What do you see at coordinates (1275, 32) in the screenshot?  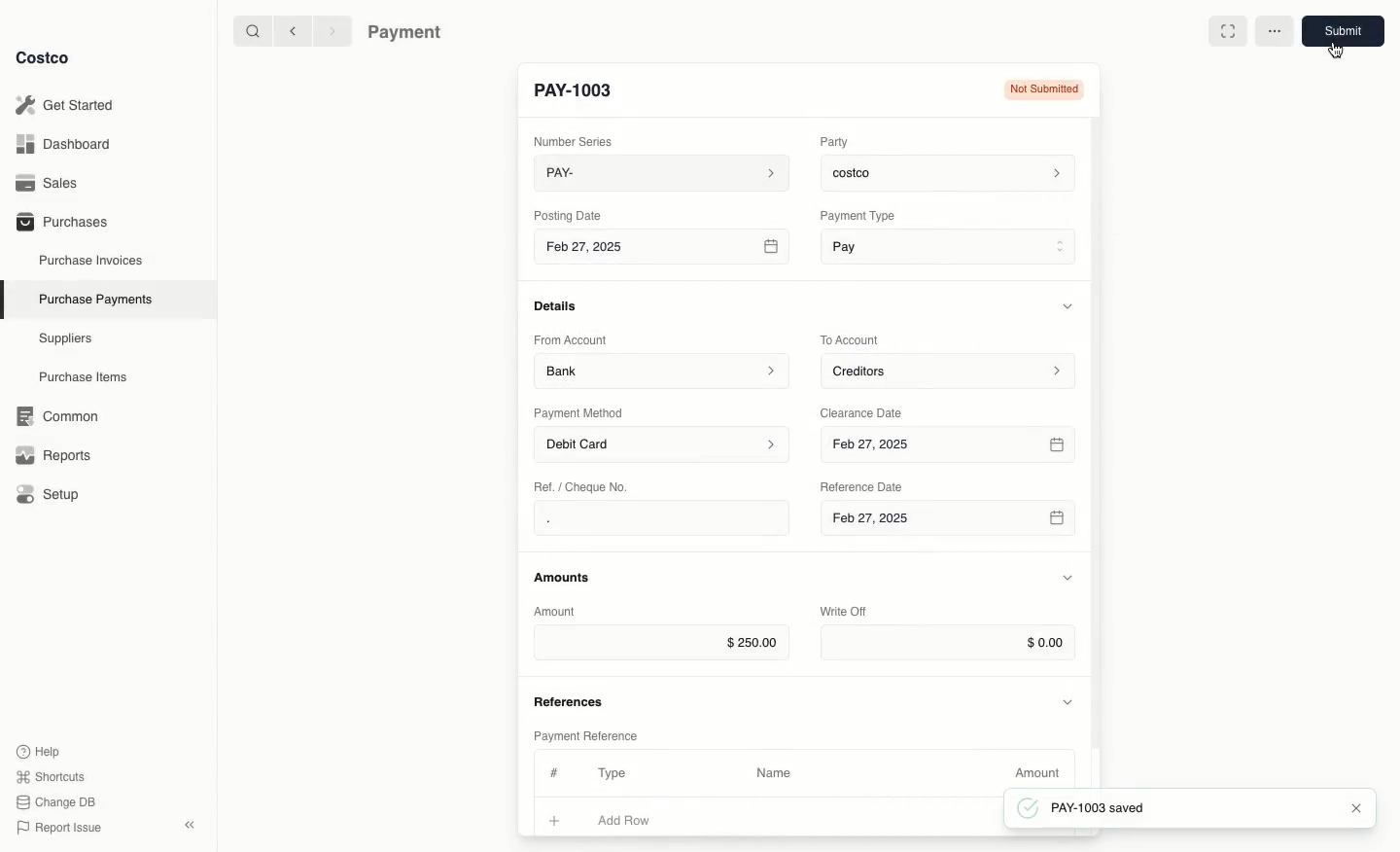 I see `More options` at bounding box center [1275, 32].